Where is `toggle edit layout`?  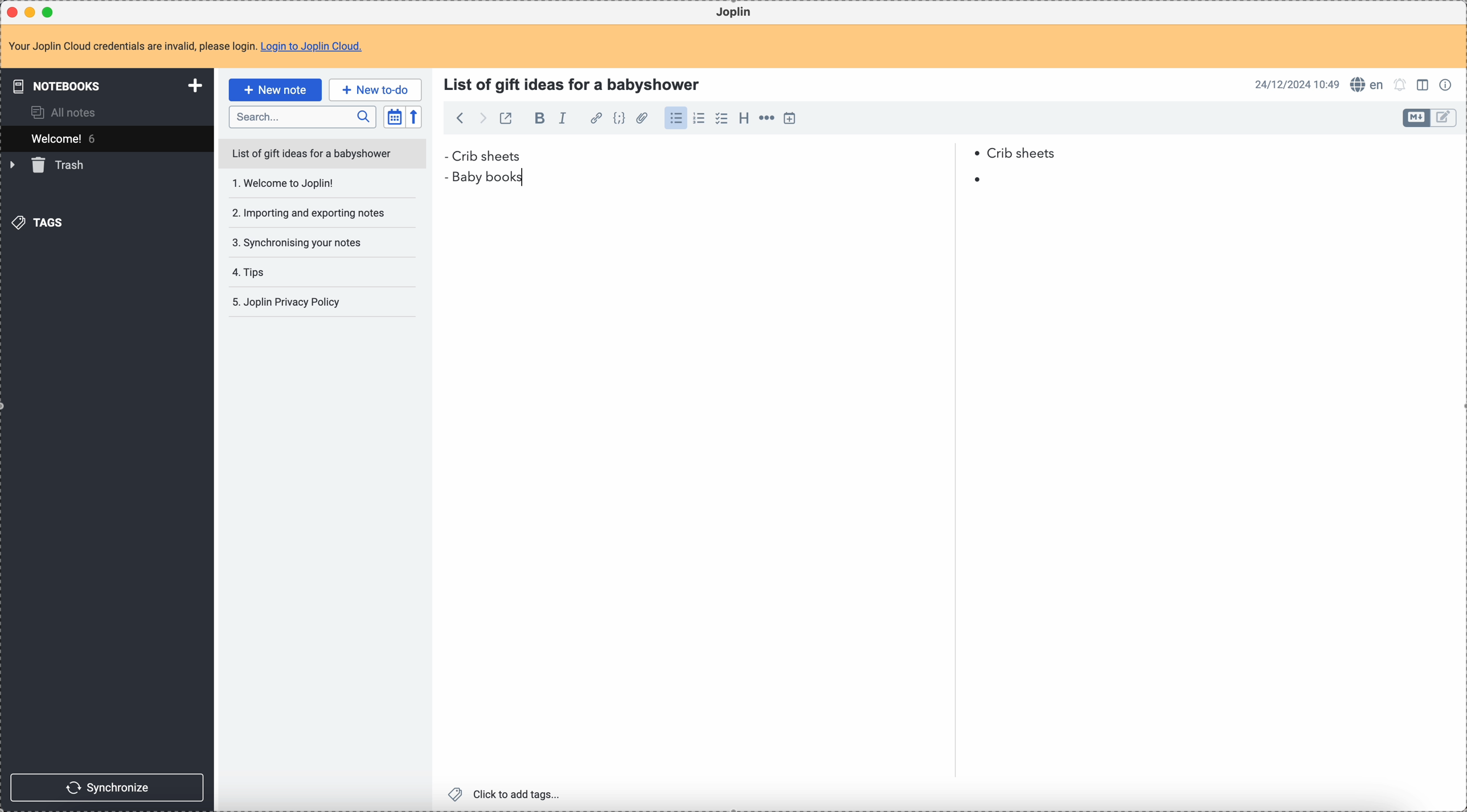
toggle edit layout is located at coordinates (1425, 87).